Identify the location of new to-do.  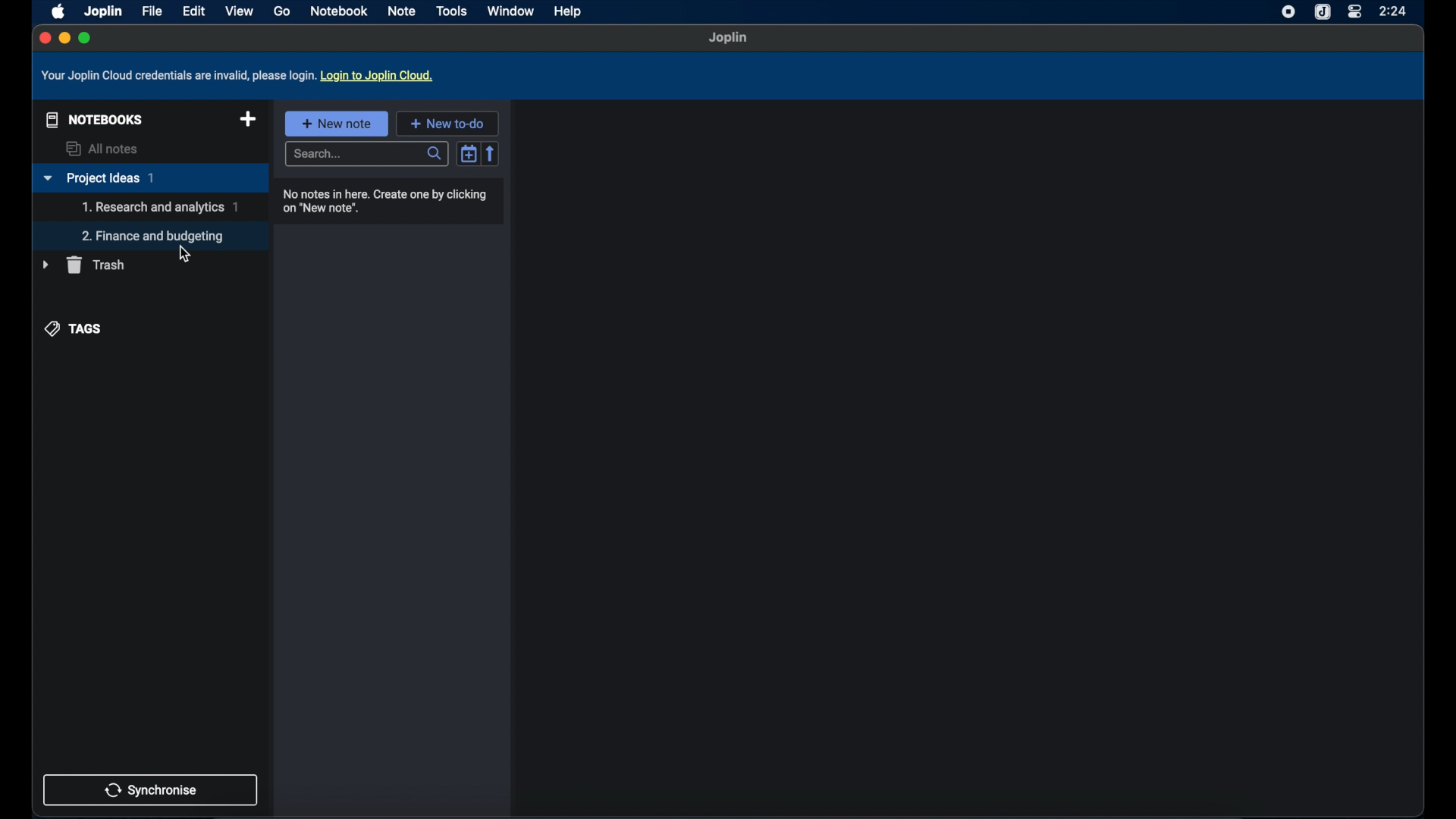
(447, 123).